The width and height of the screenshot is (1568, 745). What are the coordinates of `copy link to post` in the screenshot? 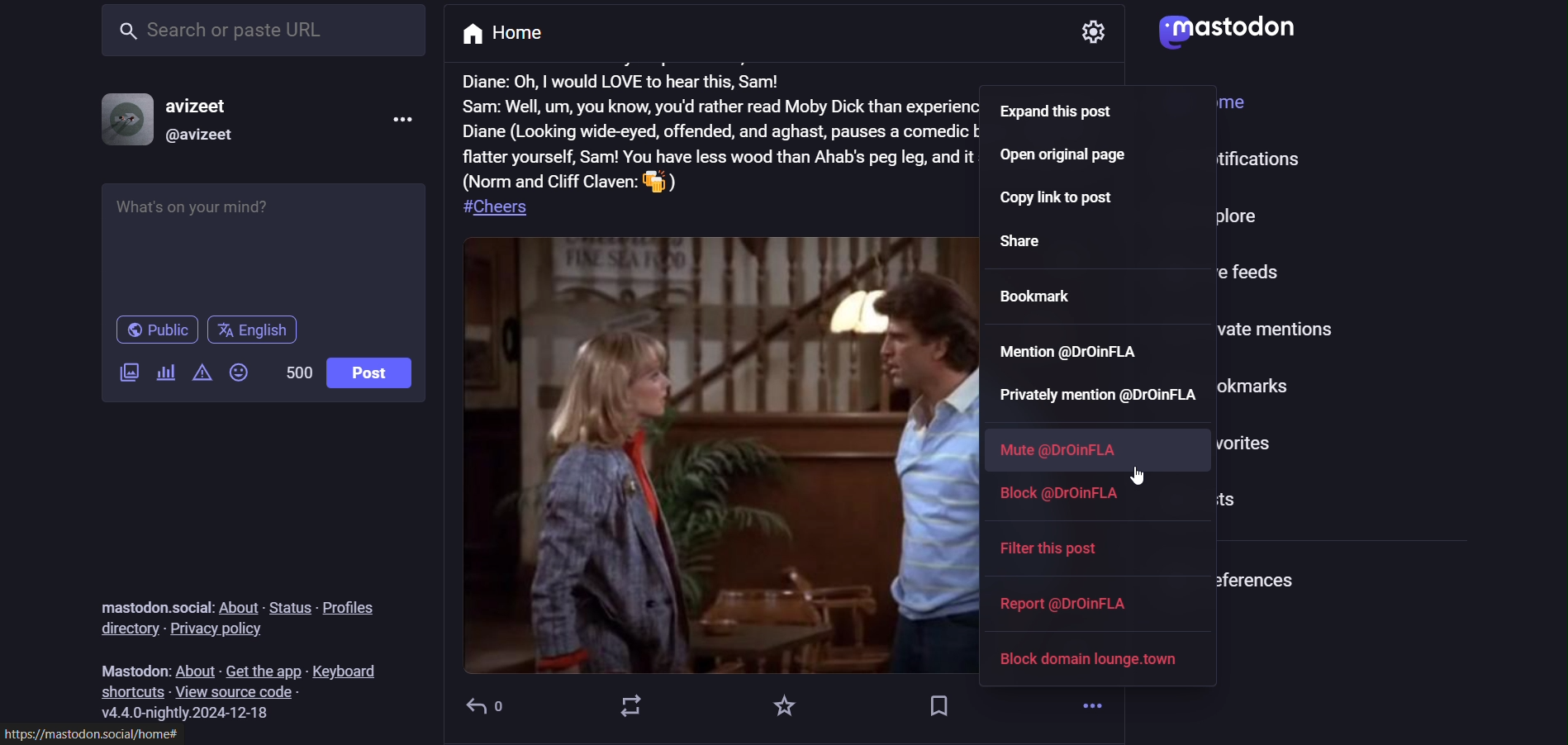 It's located at (1070, 202).